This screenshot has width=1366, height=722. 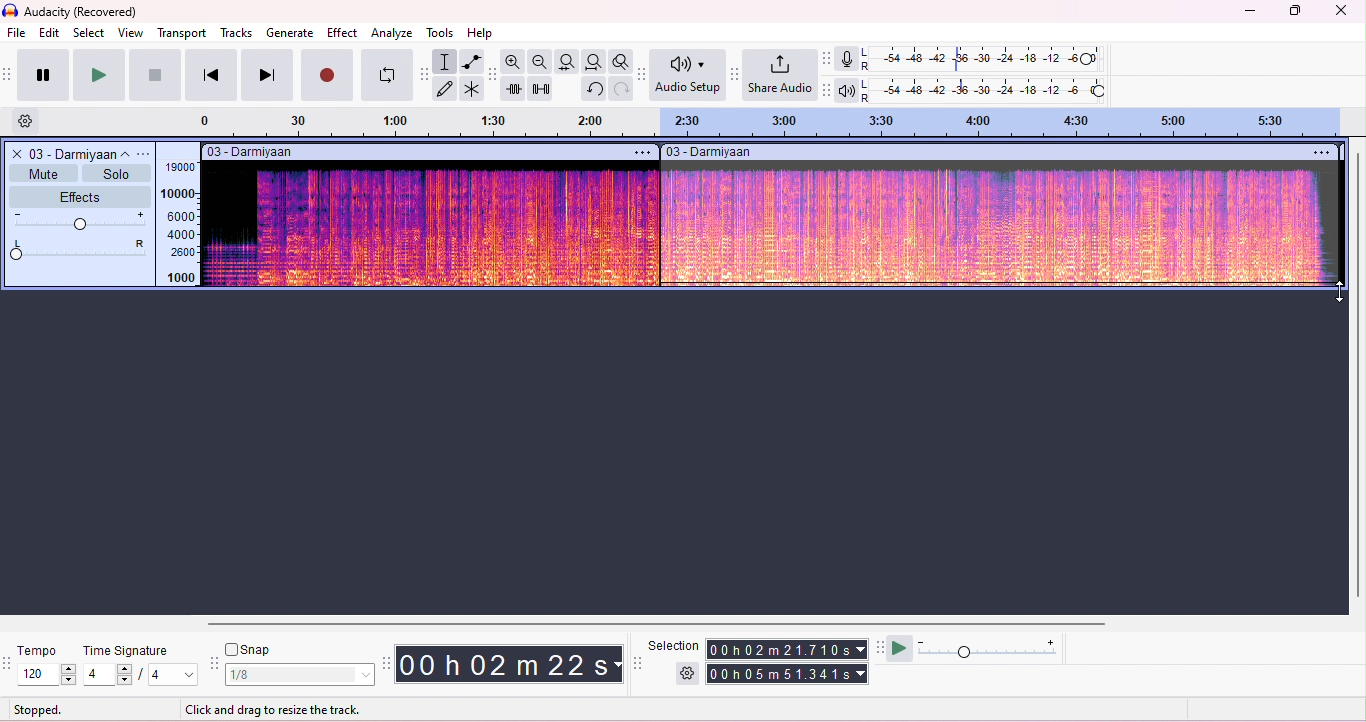 I want to click on audio setup, so click(x=688, y=75).